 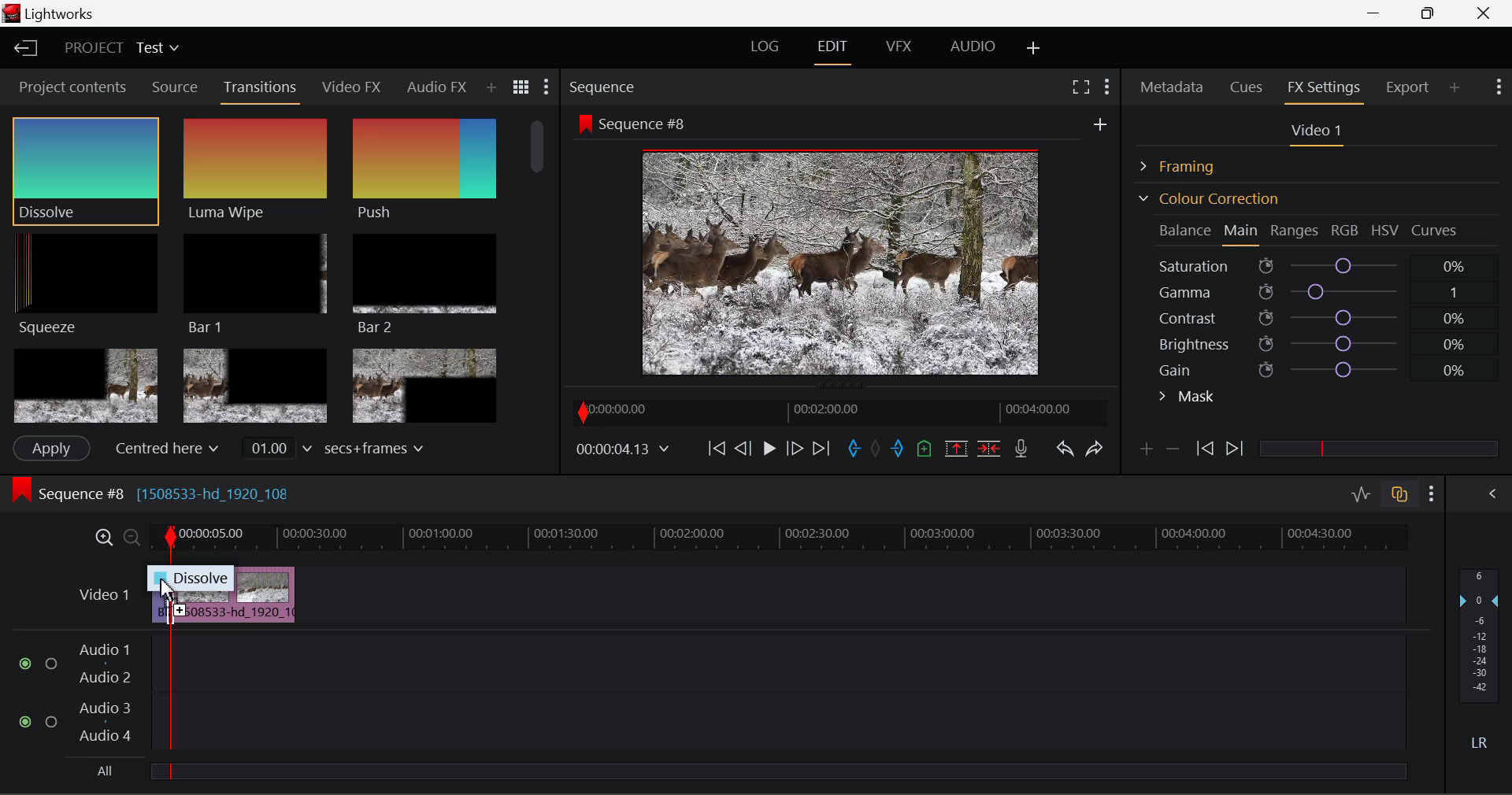 What do you see at coordinates (1455, 87) in the screenshot?
I see `Add Panel` at bounding box center [1455, 87].